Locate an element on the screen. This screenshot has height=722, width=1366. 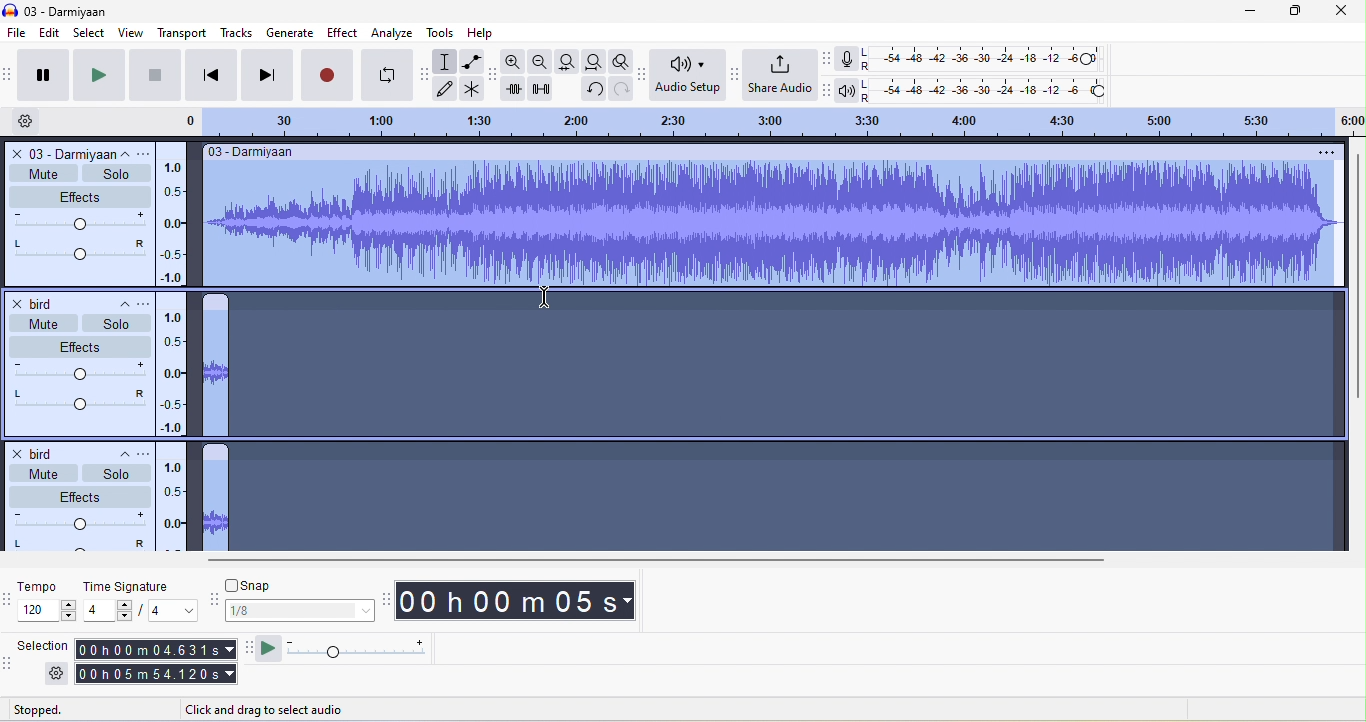
help is located at coordinates (486, 31).